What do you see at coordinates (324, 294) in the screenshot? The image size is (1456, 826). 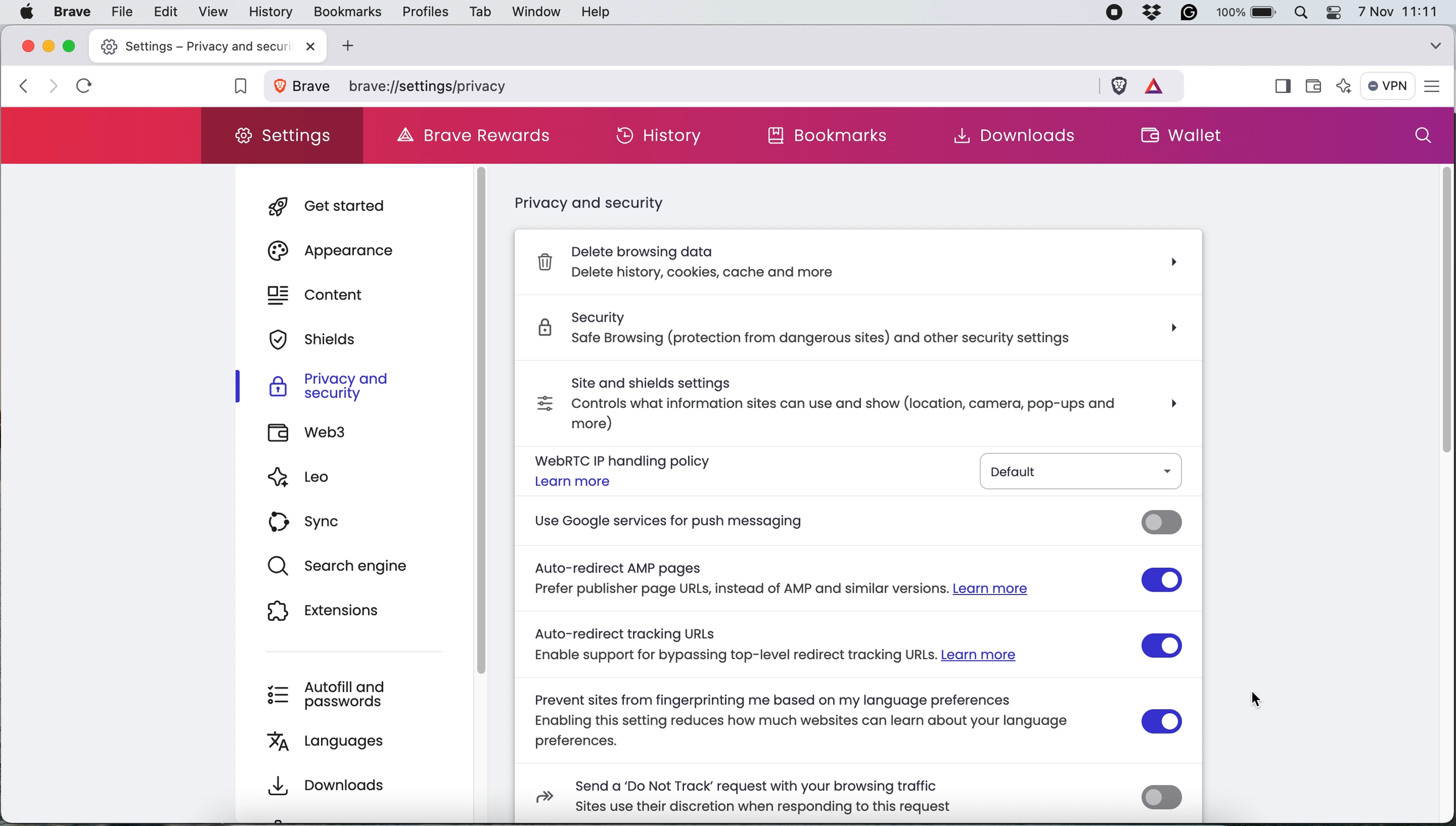 I see `content` at bounding box center [324, 294].